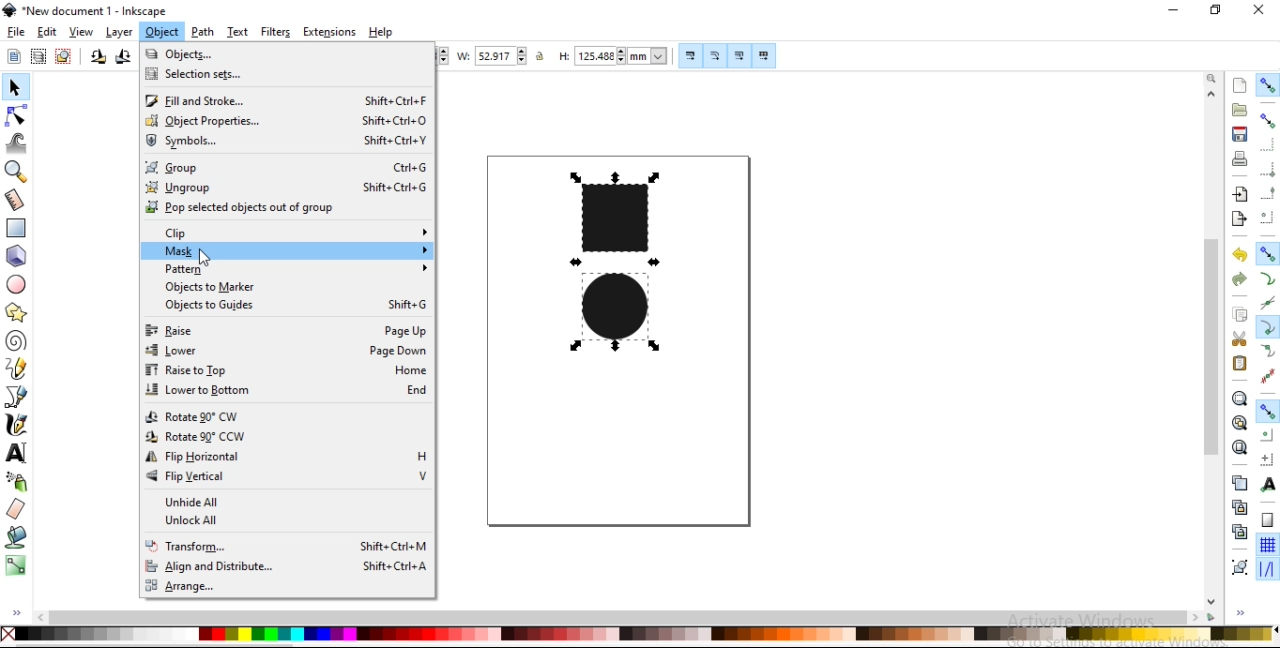 Image resolution: width=1280 pixels, height=648 pixels. What do you see at coordinates (14, 340) in the screenshot?
I see `create spiral ` at bounding box center [14, 340].